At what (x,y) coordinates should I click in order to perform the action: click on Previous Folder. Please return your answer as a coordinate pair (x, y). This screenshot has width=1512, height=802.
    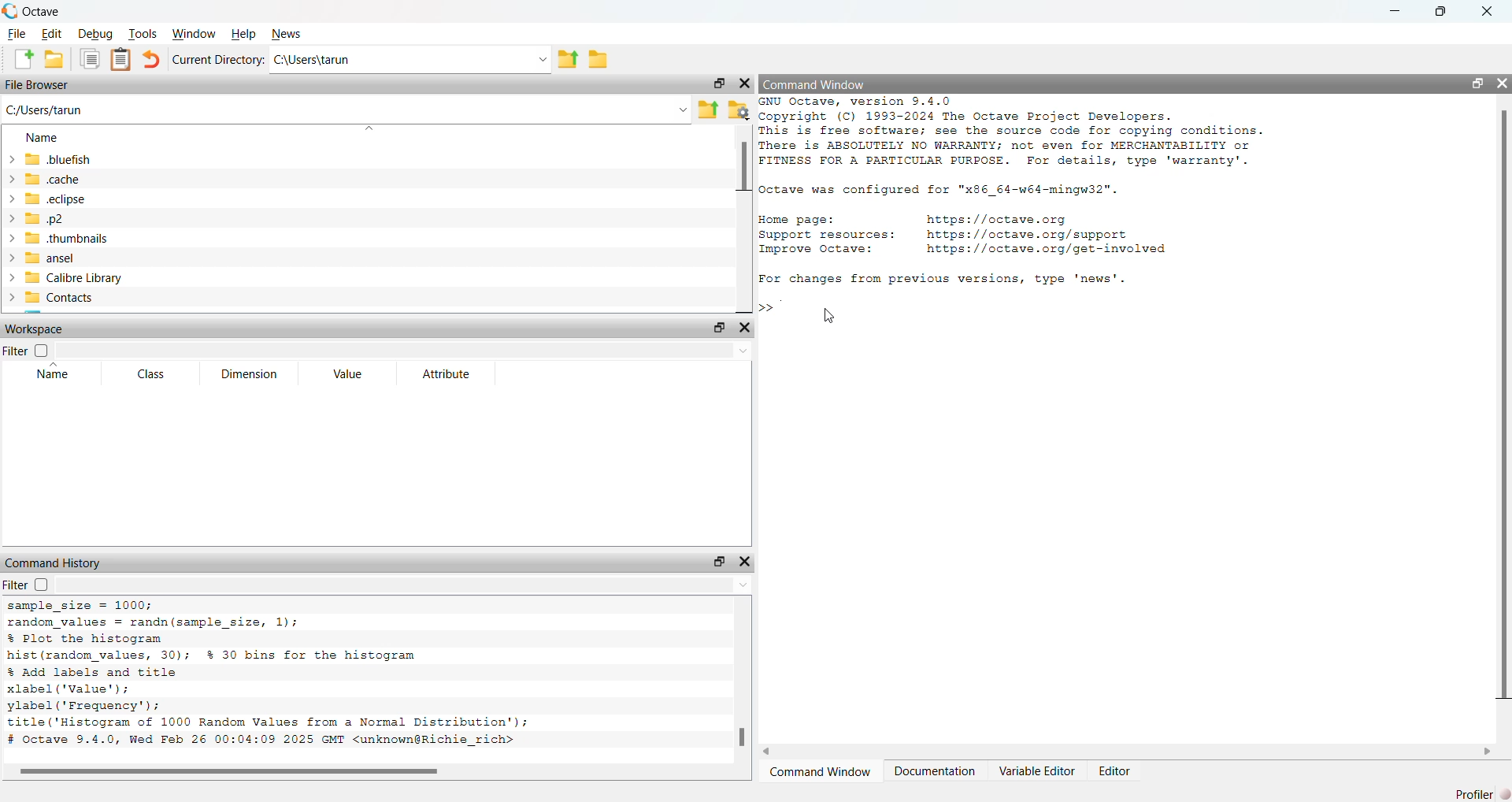
    Looking at the image, I should click on (709, 110).